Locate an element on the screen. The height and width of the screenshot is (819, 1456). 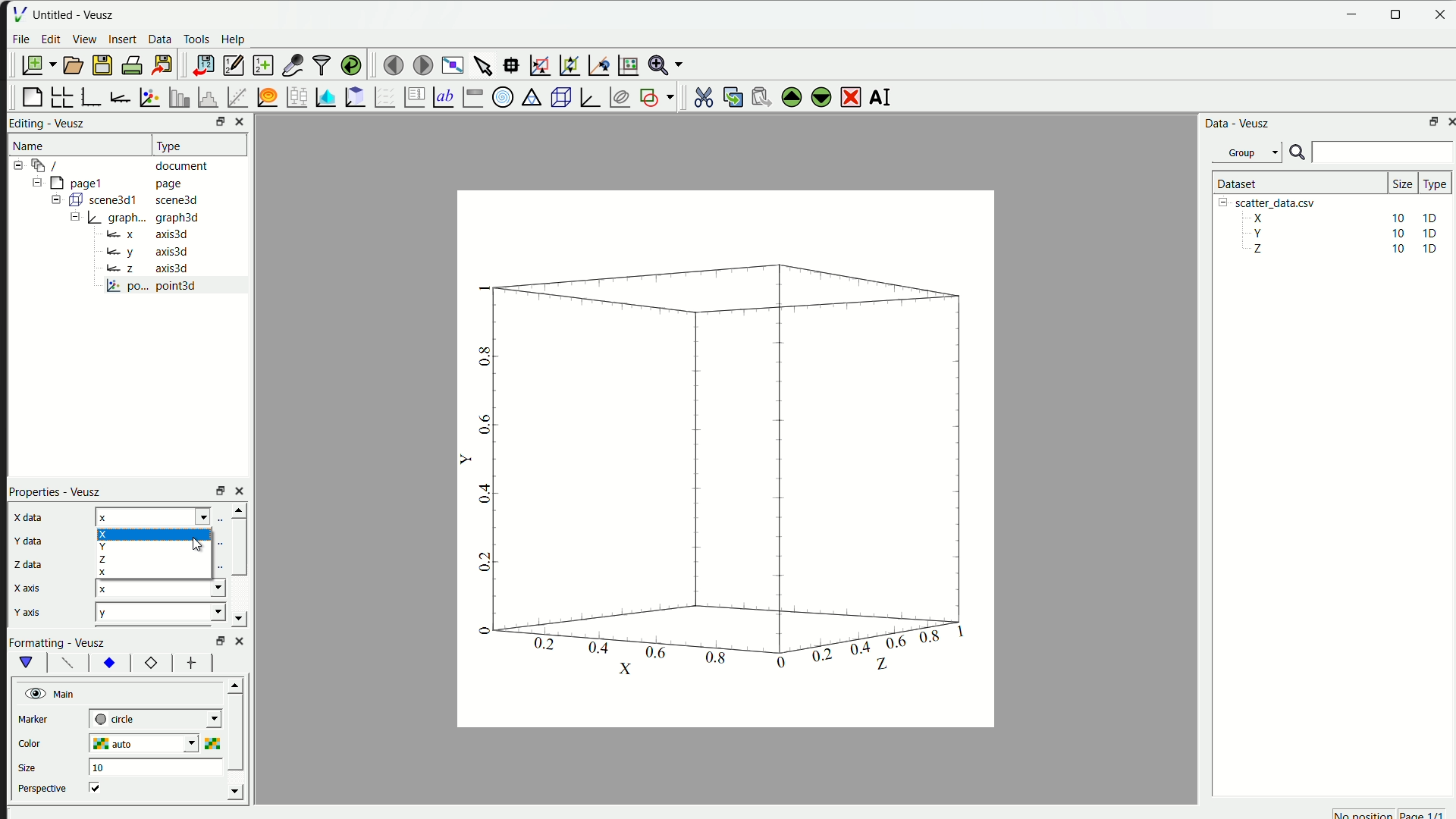
Text label is located at coordinates (442, 98).